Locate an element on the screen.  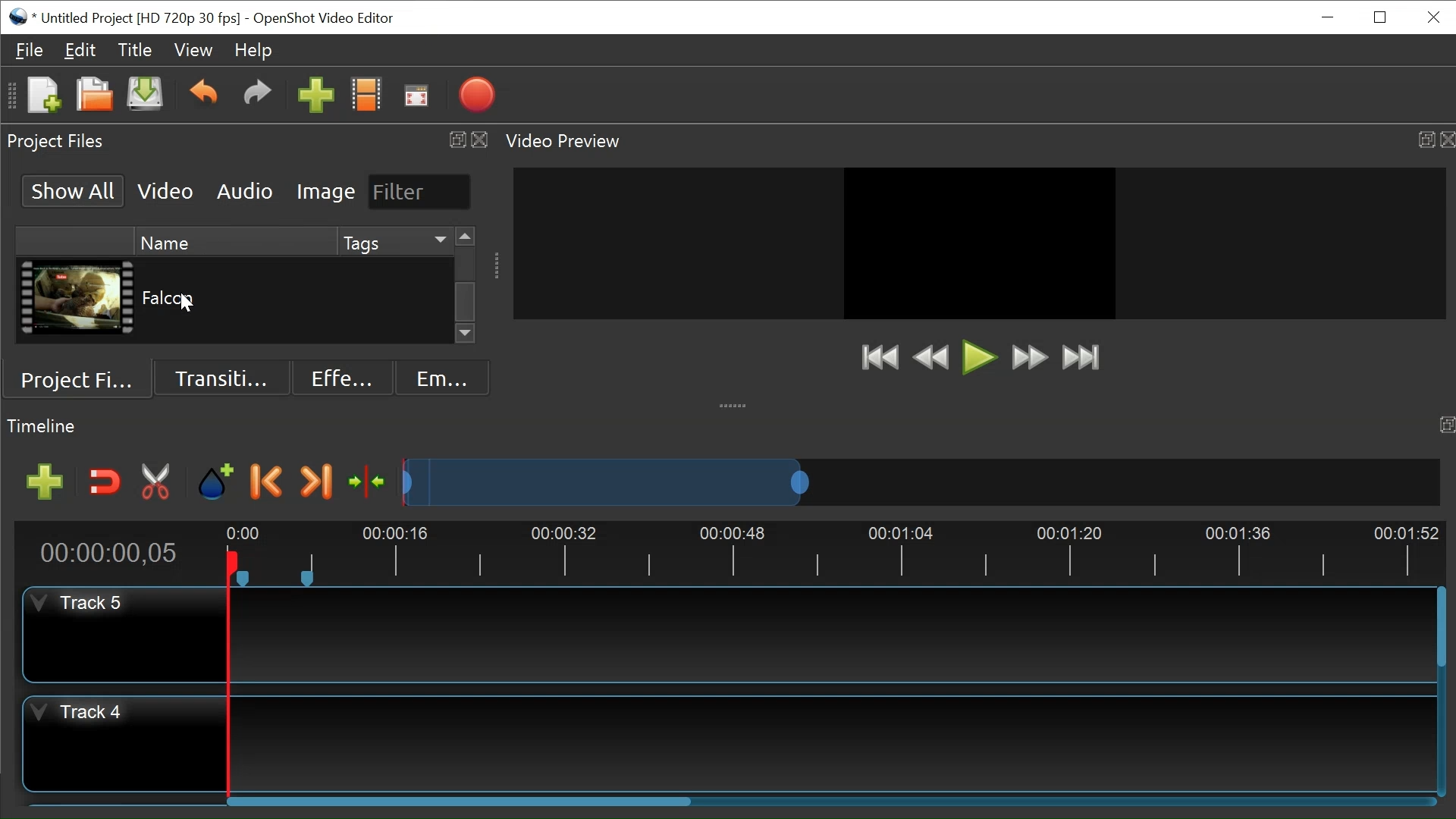
OpenShot Video Editor is located at coordinates (322, 18).